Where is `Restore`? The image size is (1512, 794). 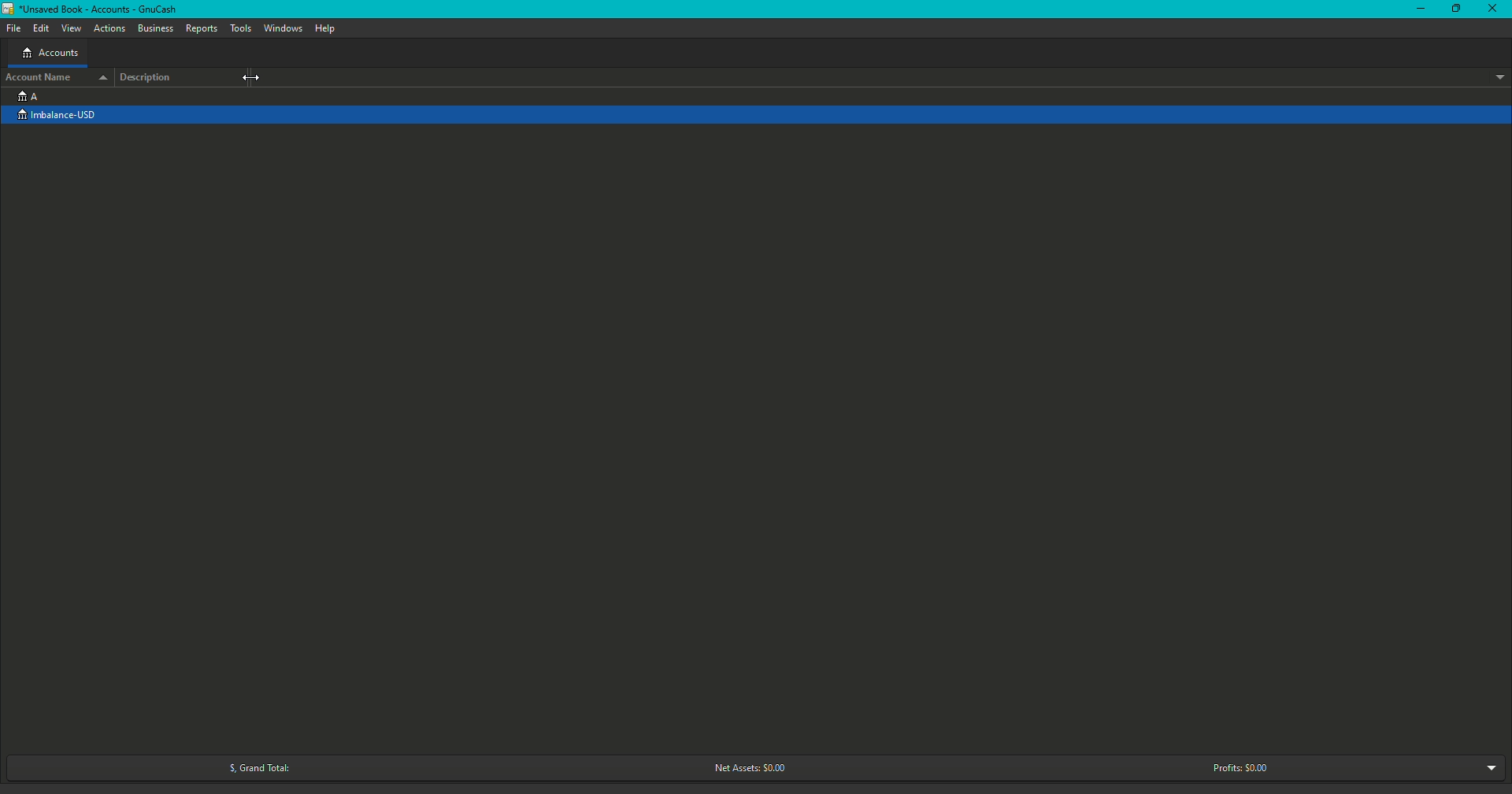
Restore is located at coordinates (1455, 9).